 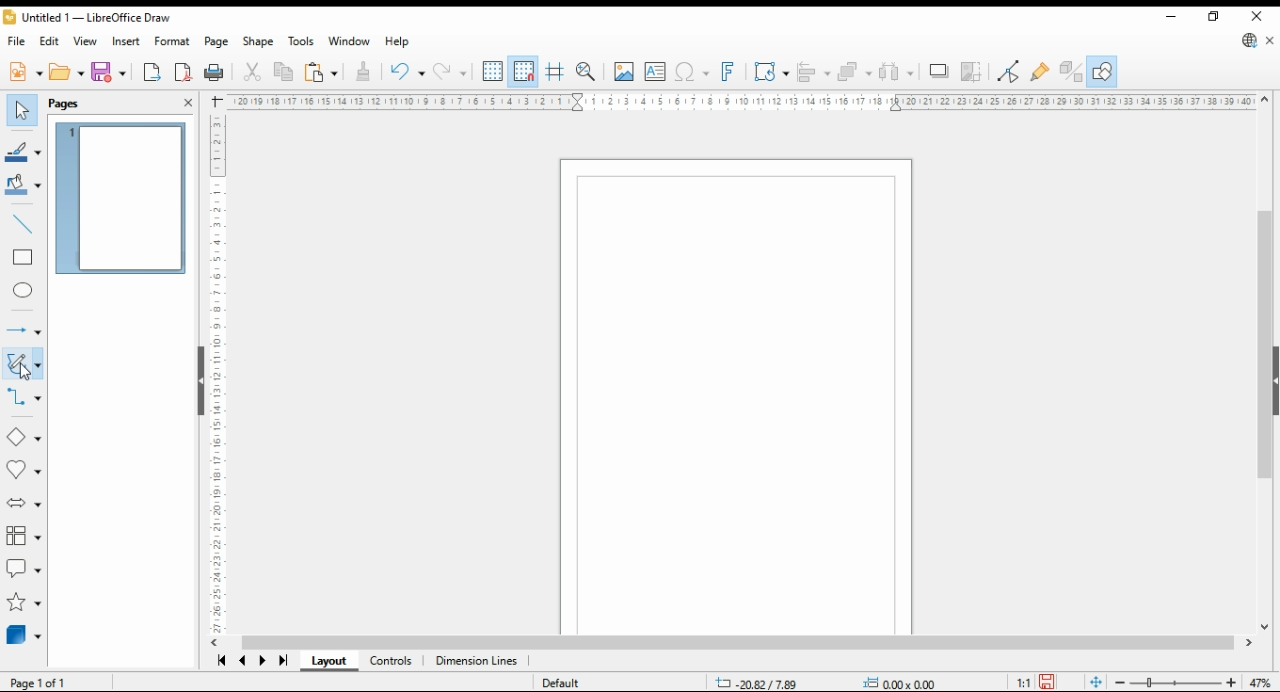 What do you see at coordinates (586, 73) in the screenshot?
I see `zoom and pan` at bounding box center [586, 73].